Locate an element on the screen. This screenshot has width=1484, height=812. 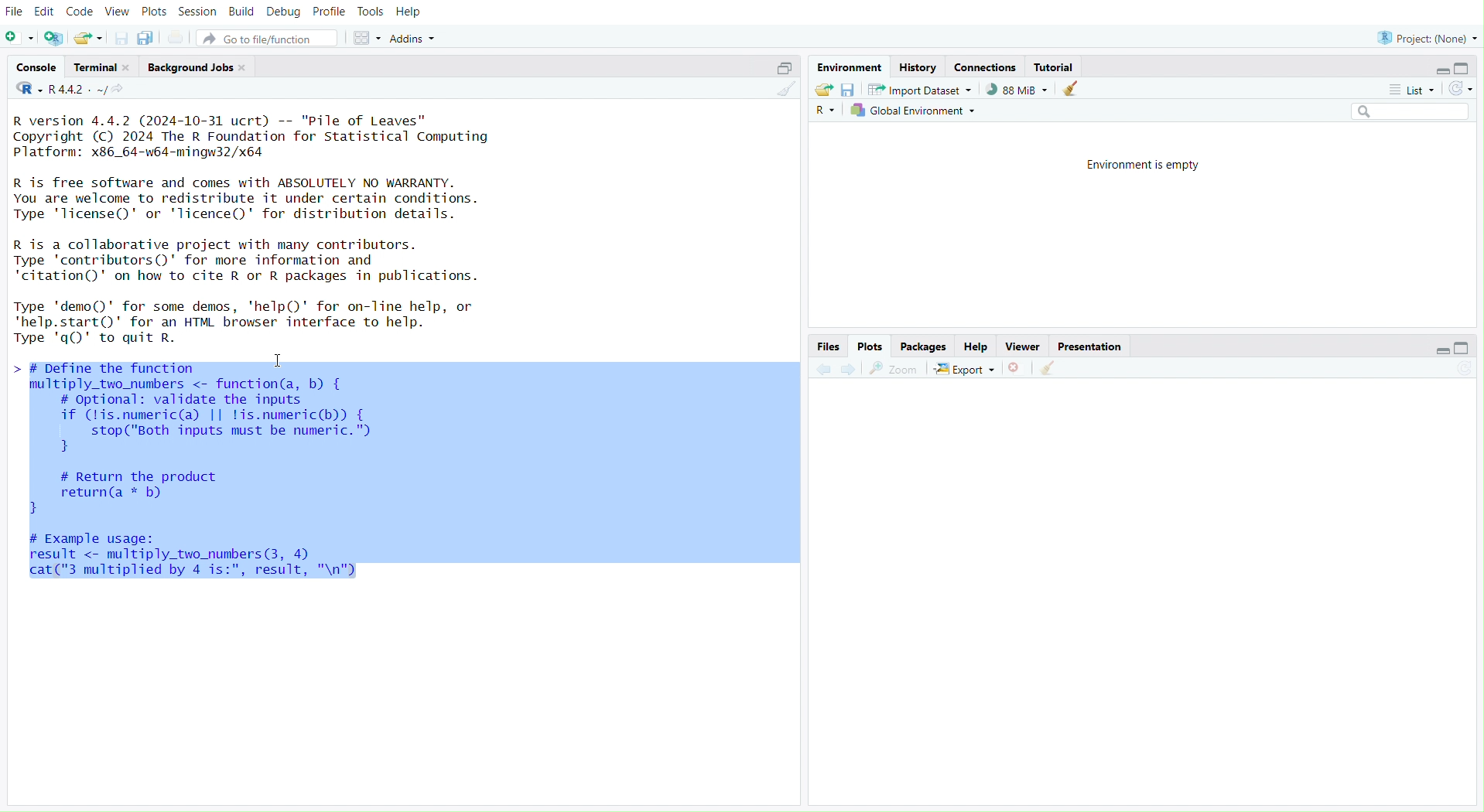
Maximize is located at coordinates (1465, 68).